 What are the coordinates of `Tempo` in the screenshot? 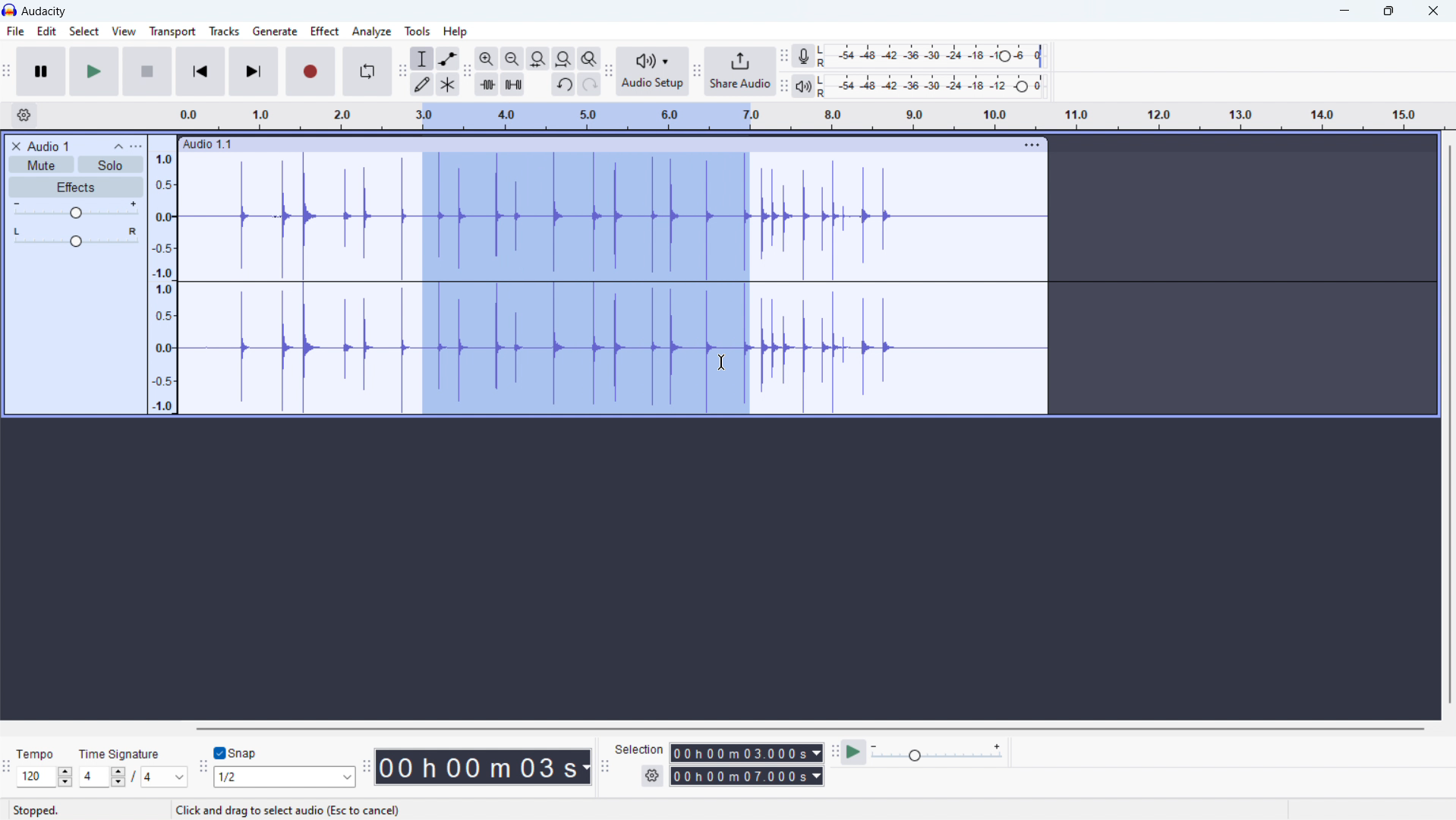 It's located at (39, 752).